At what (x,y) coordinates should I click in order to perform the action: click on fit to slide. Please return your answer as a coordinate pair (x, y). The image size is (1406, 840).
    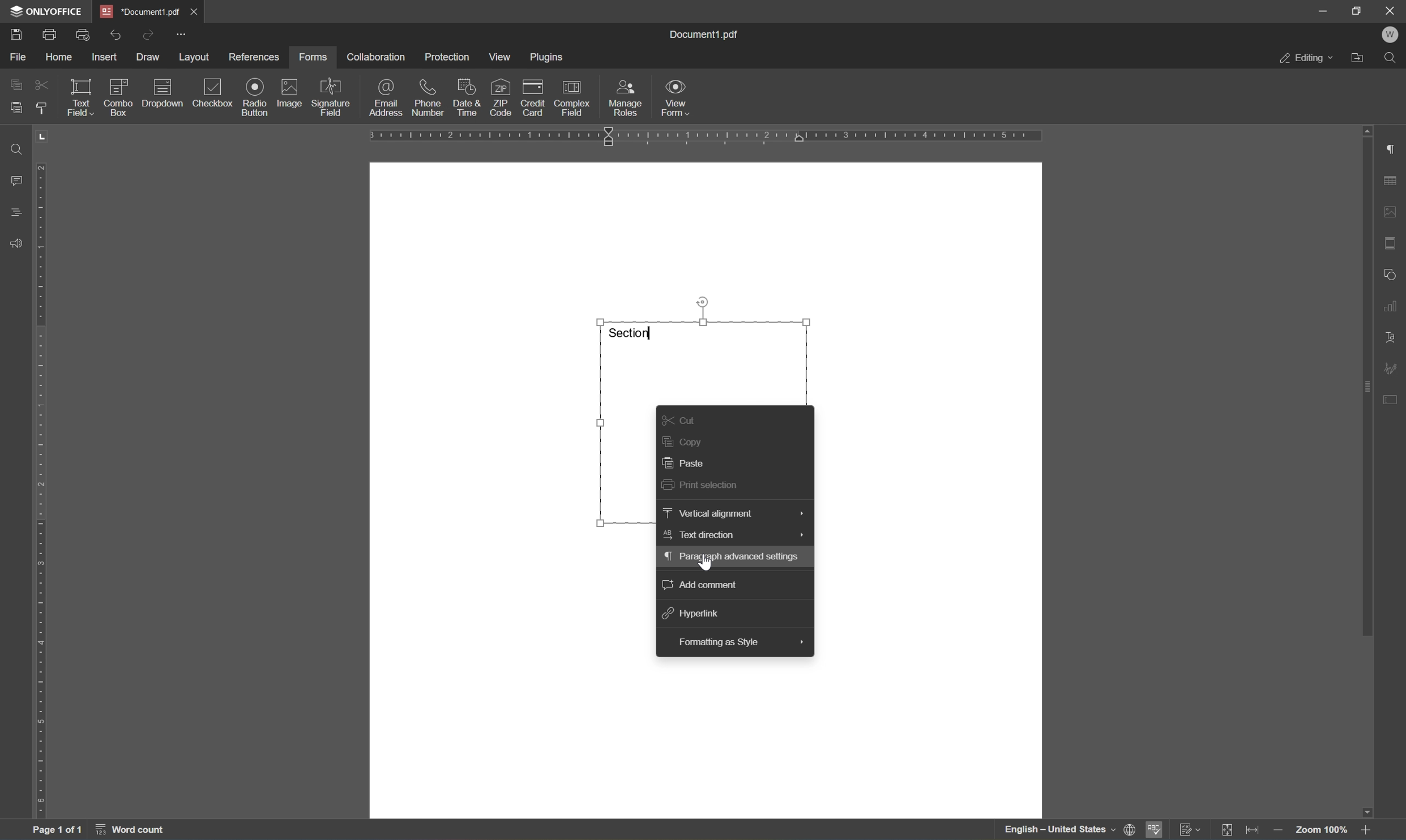
    Looking at the image, I should click on (1228, 830).